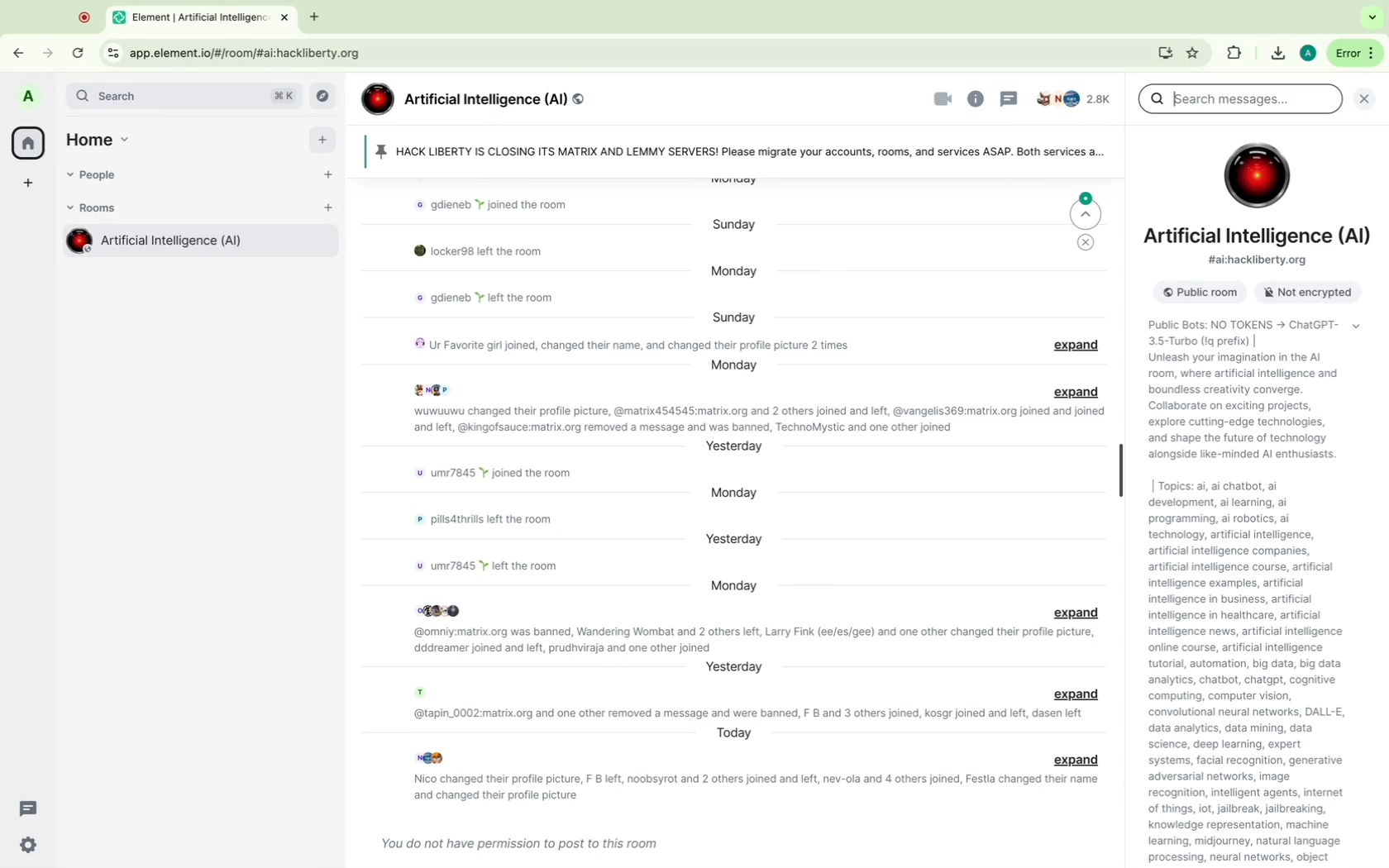 The height and width of the screenshot is (868, 1389). Describe the element at coordinates (1372, 17) in the screenshot. I see `search tabs` at that location.